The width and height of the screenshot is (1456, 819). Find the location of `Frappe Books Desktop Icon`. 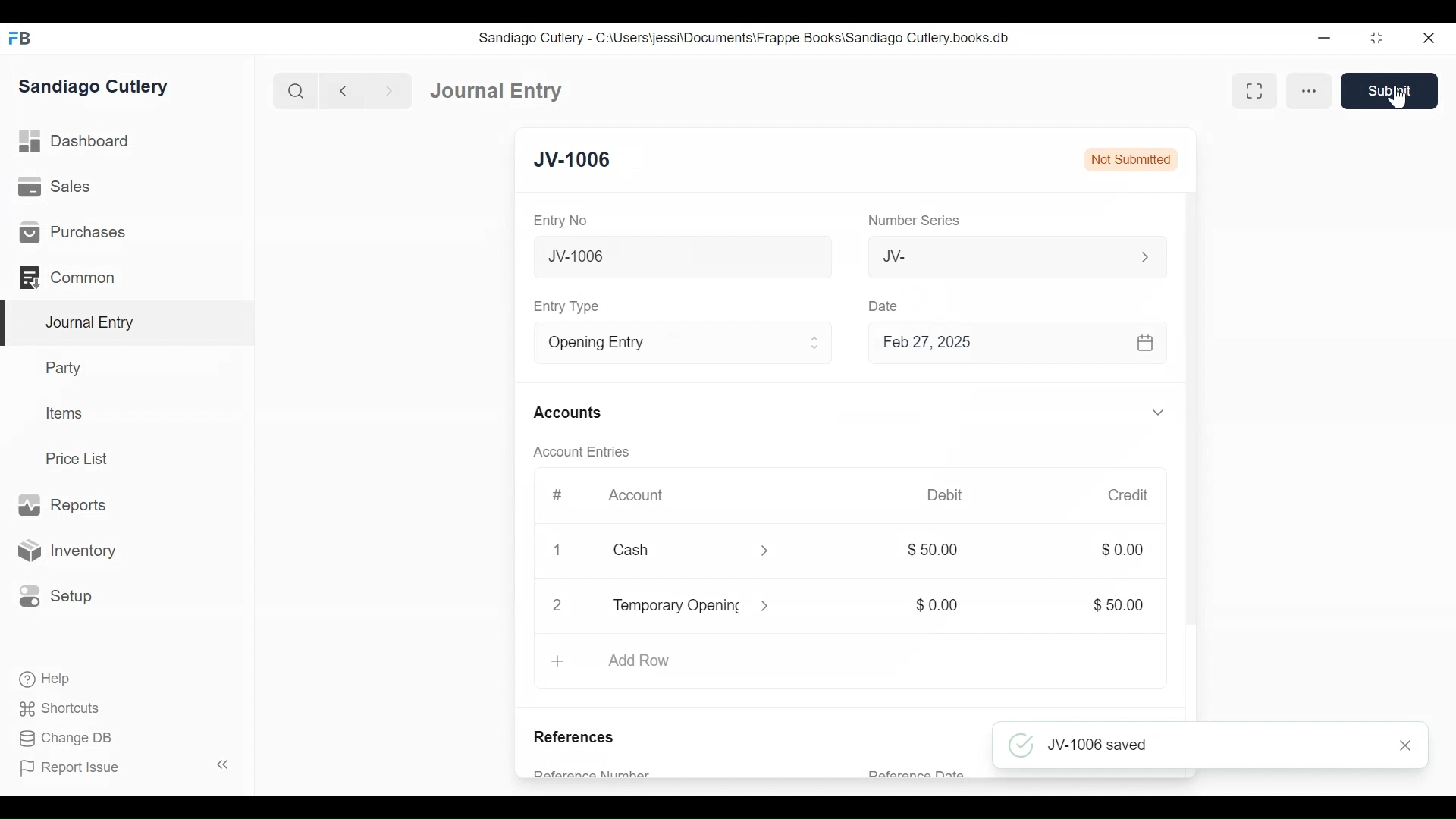

Frappe Books Desktop Icon is located at coordinates (20, 39).